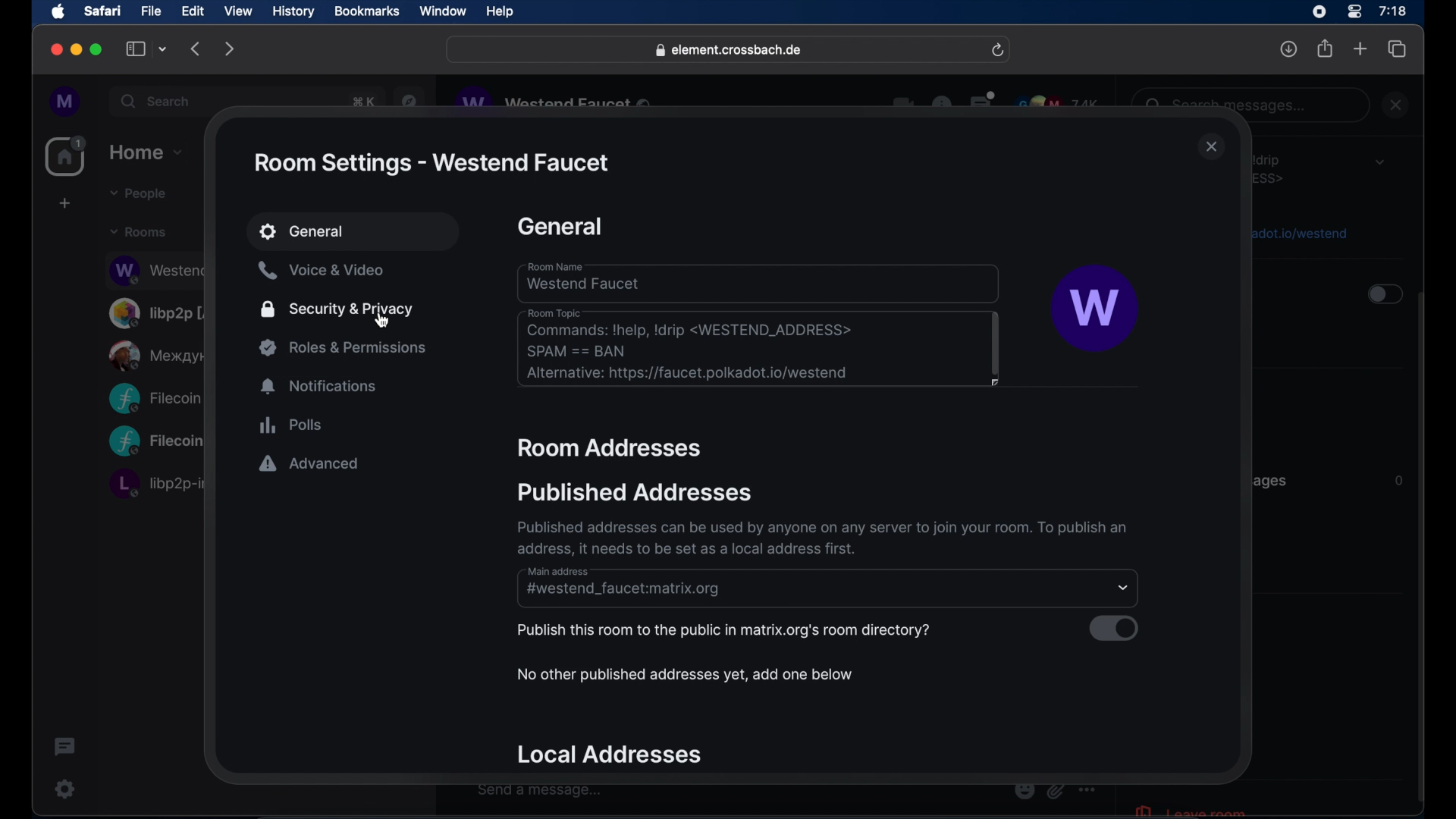 The image size is (1456, 819). I want to click on bookmarks, so click(366, 11).